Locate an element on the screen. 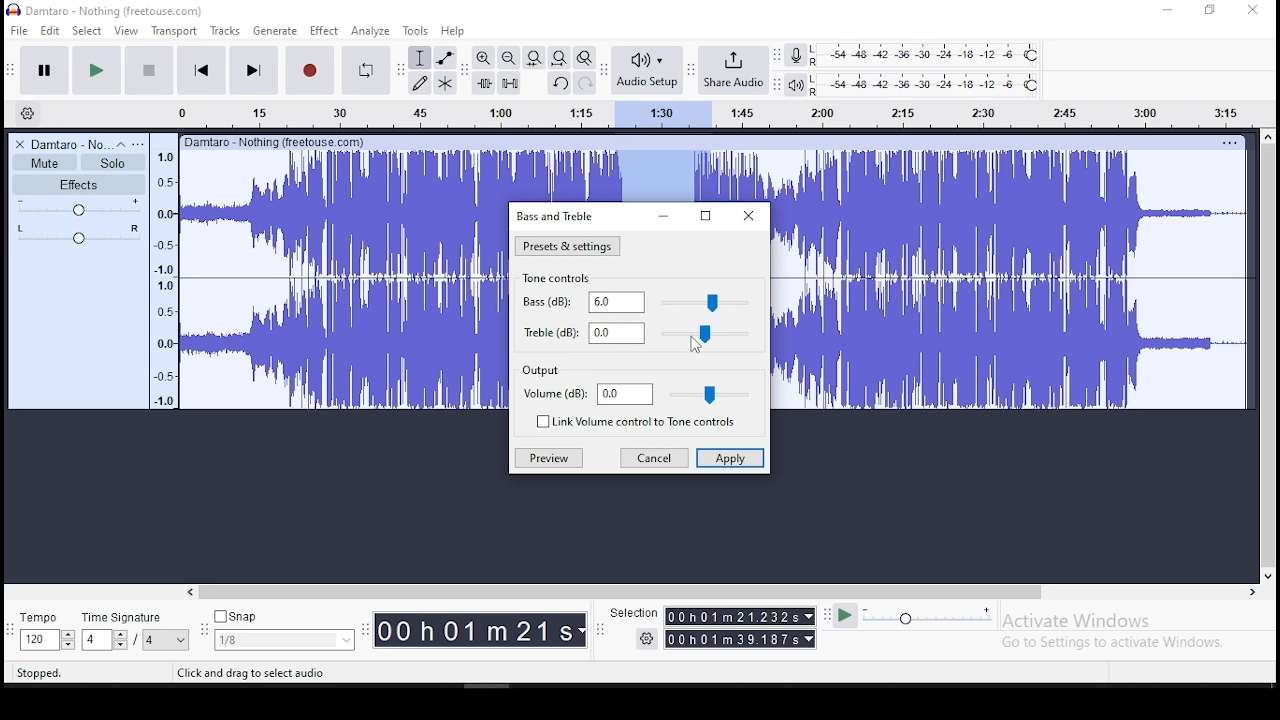 The height and width of the screenshot is (720, 1280). drop down is located at coordinates (67, 640).